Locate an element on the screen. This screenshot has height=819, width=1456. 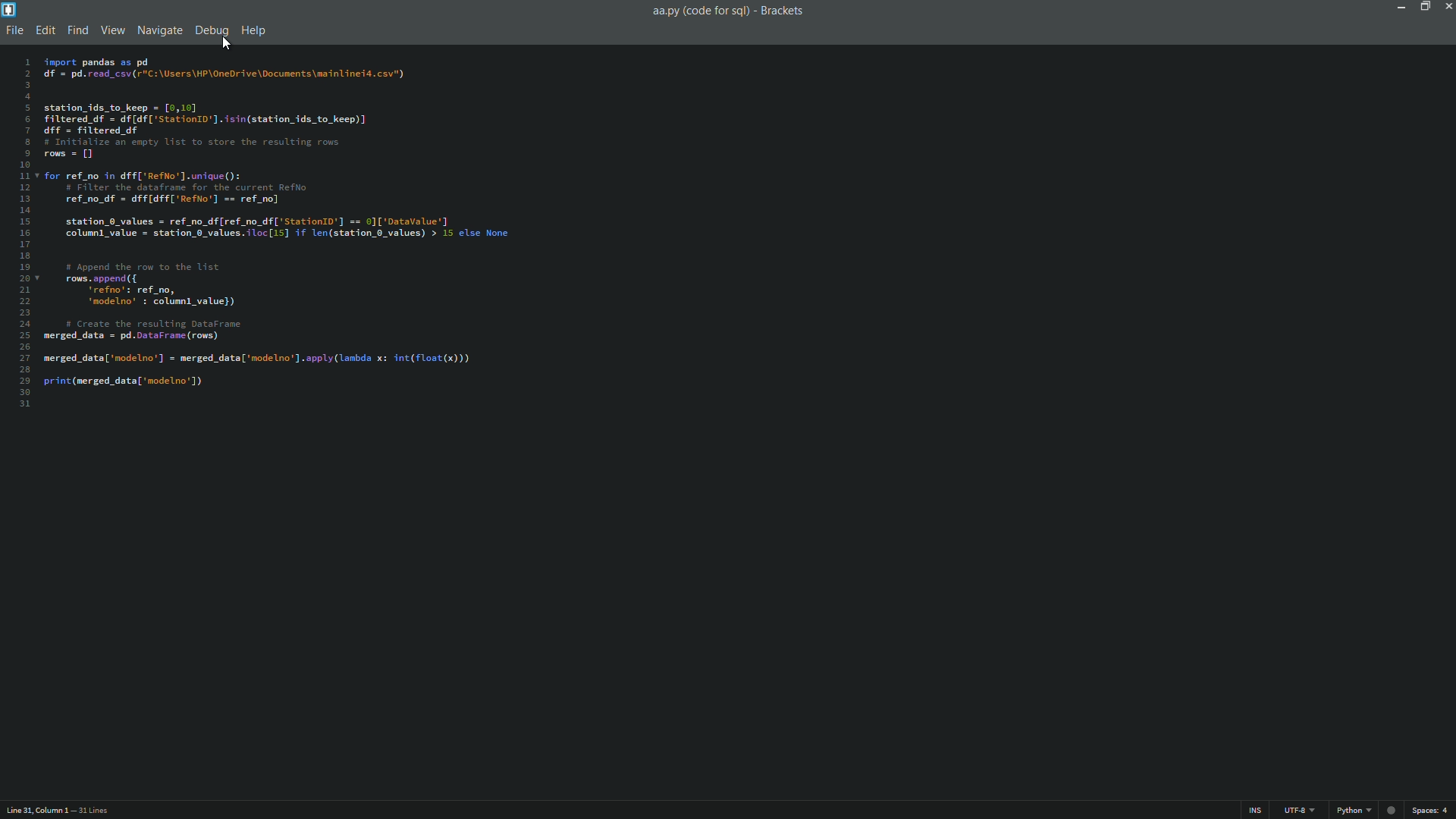
view menu is located at coordinates (111, 30).